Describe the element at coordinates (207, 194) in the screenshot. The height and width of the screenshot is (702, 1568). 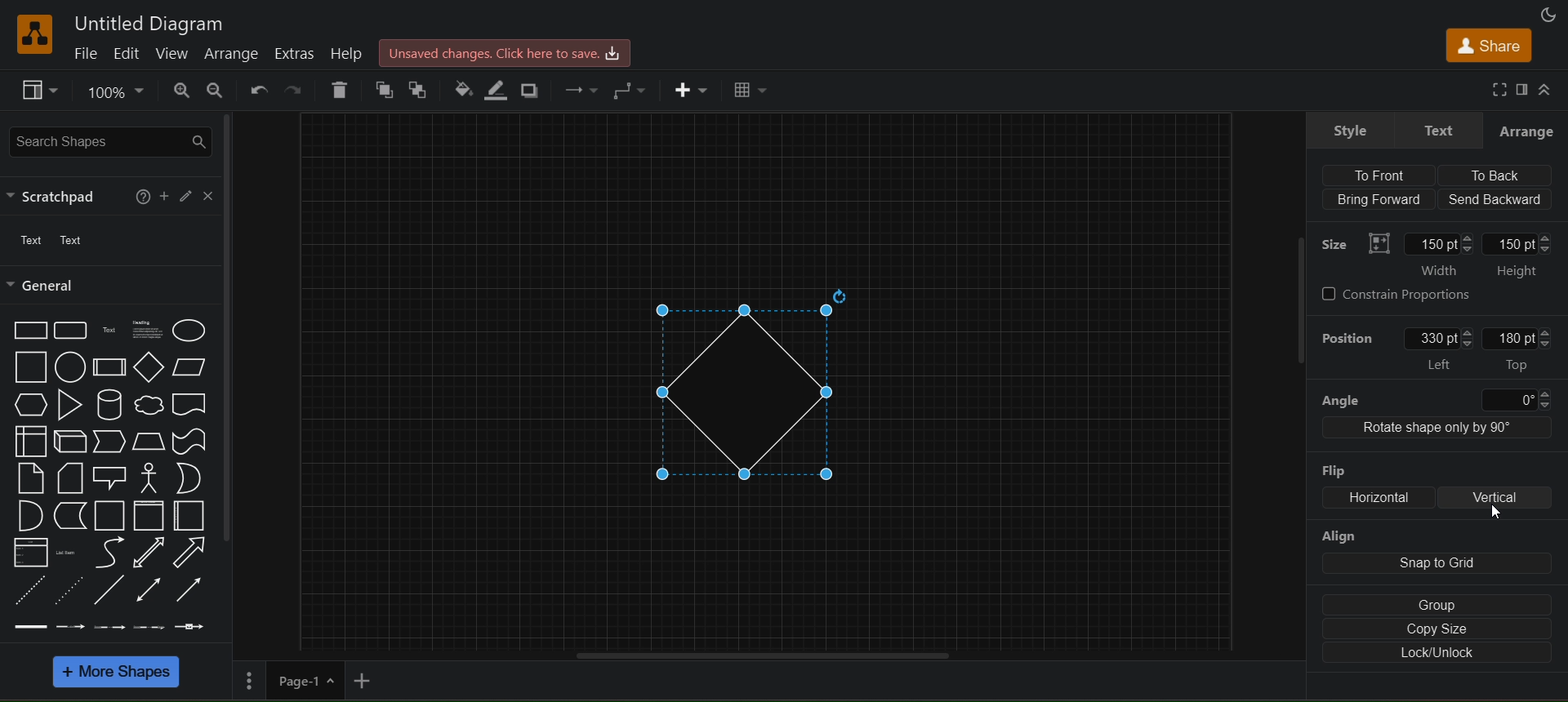
I see `close` at that location.